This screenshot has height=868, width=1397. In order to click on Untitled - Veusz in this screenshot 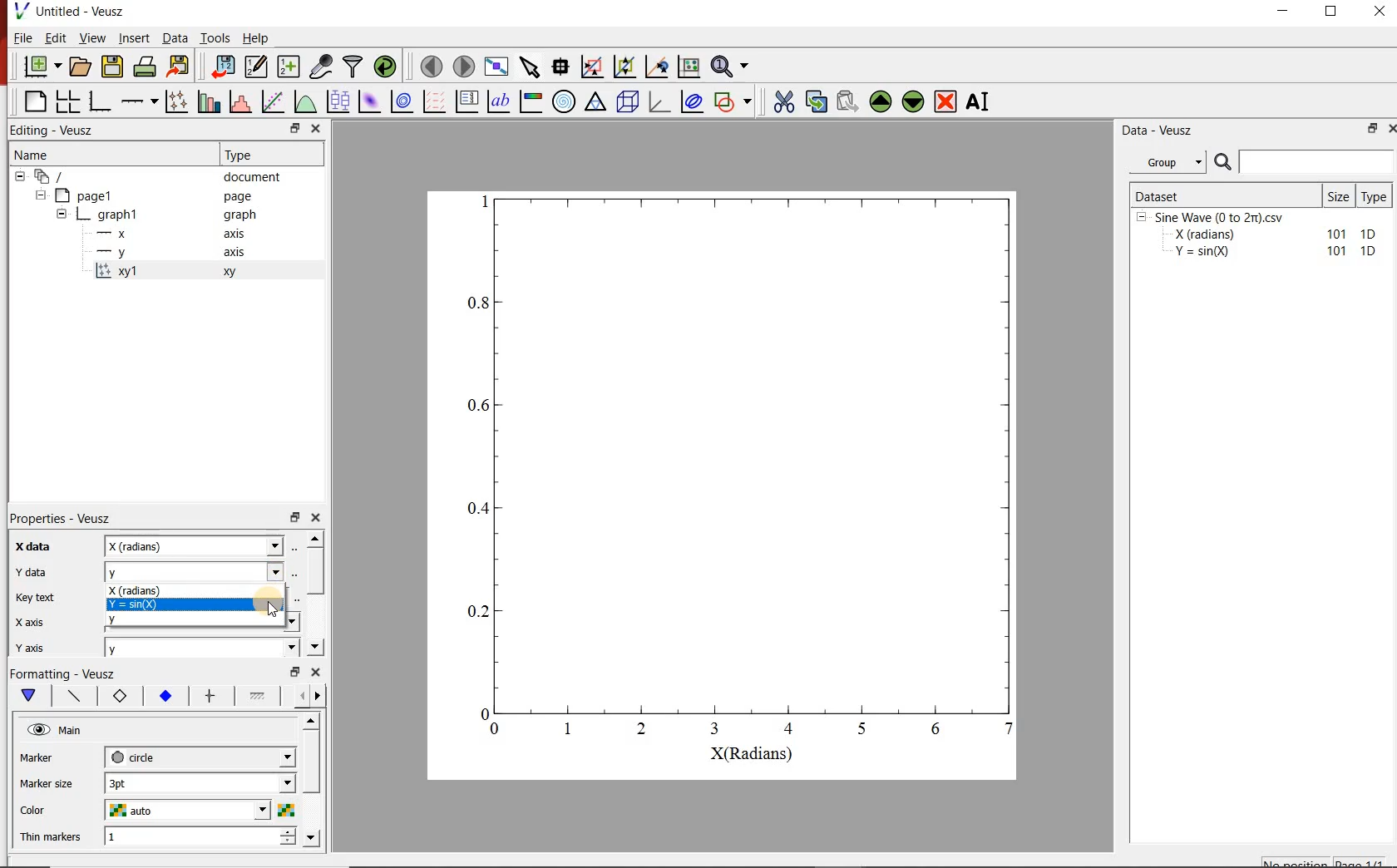, I will do `click(81, 11)`.